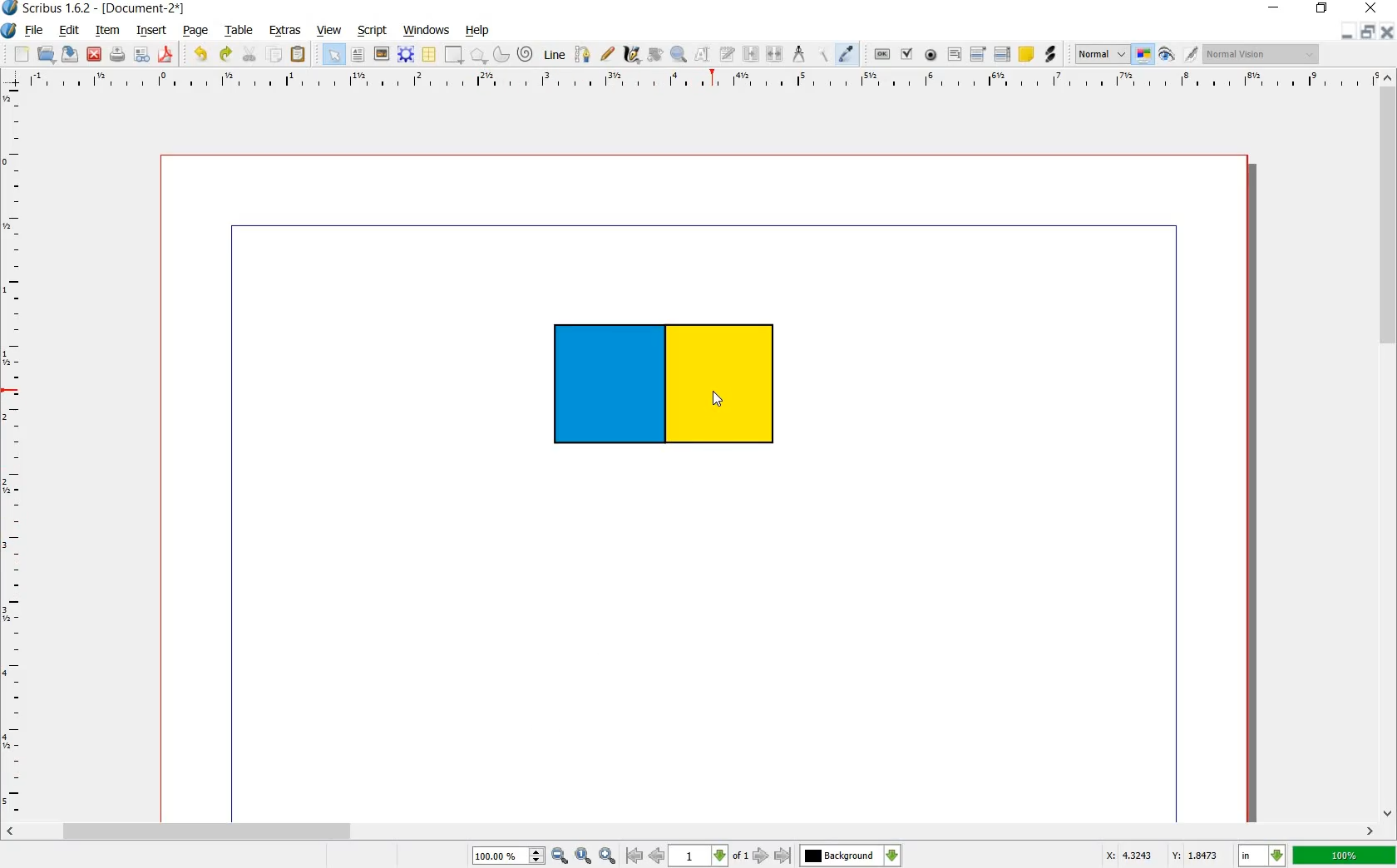  I want to click on table, so click(430, 54).